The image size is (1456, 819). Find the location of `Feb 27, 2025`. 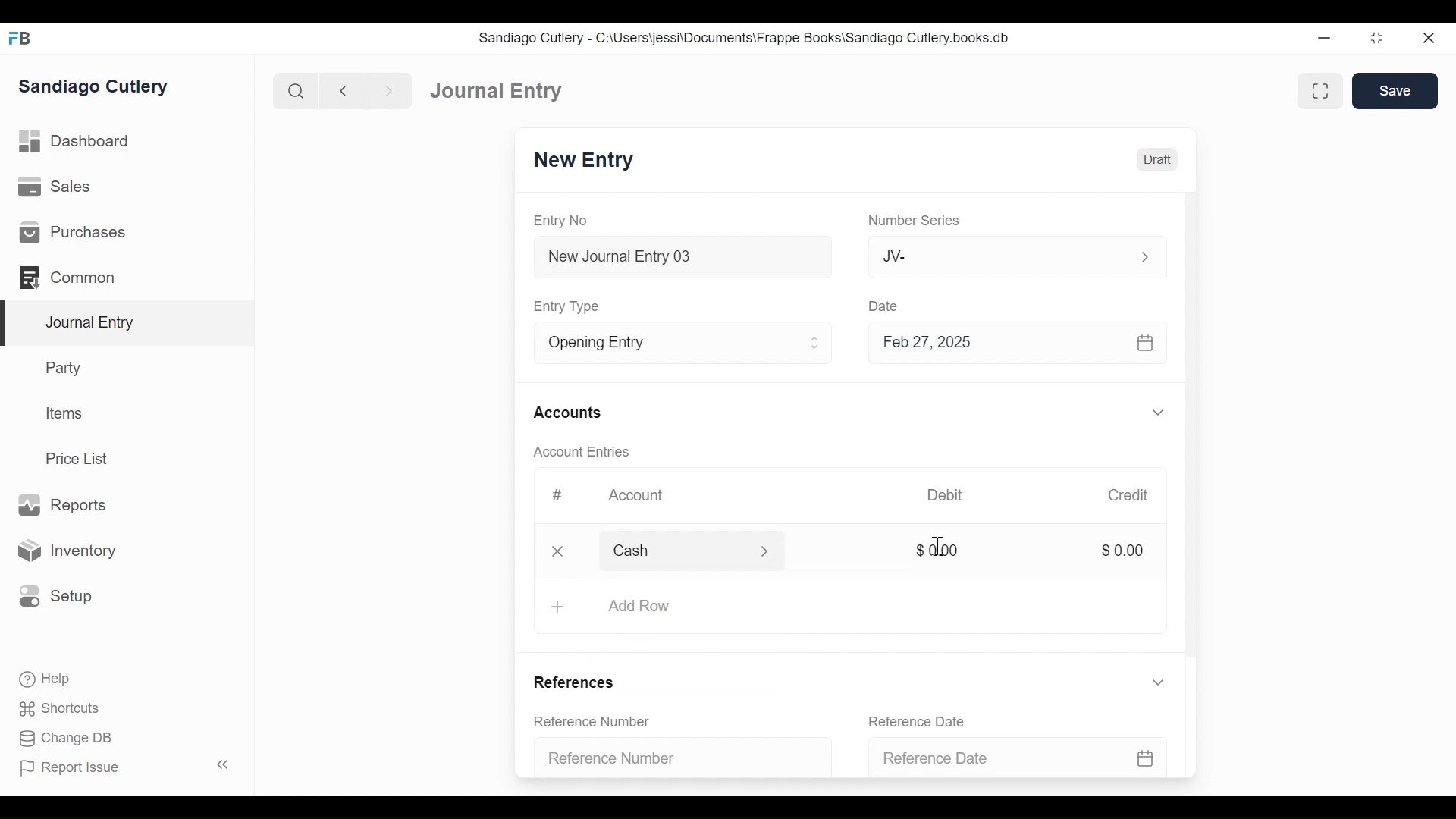

Feb 27, 2025 is located at coordinates (1015, 344).